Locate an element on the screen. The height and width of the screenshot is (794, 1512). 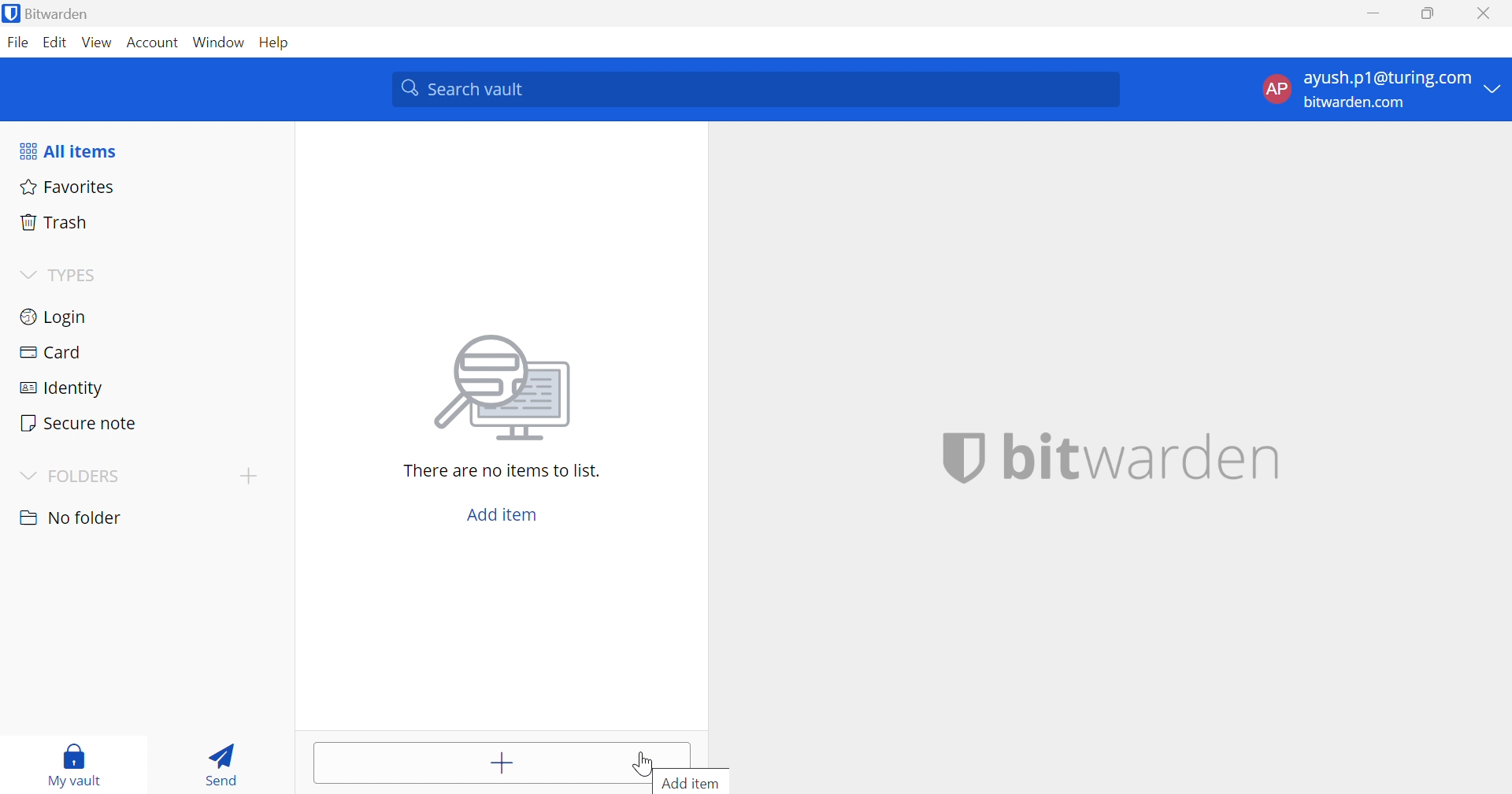
Card is located at coordinates (50, 354).